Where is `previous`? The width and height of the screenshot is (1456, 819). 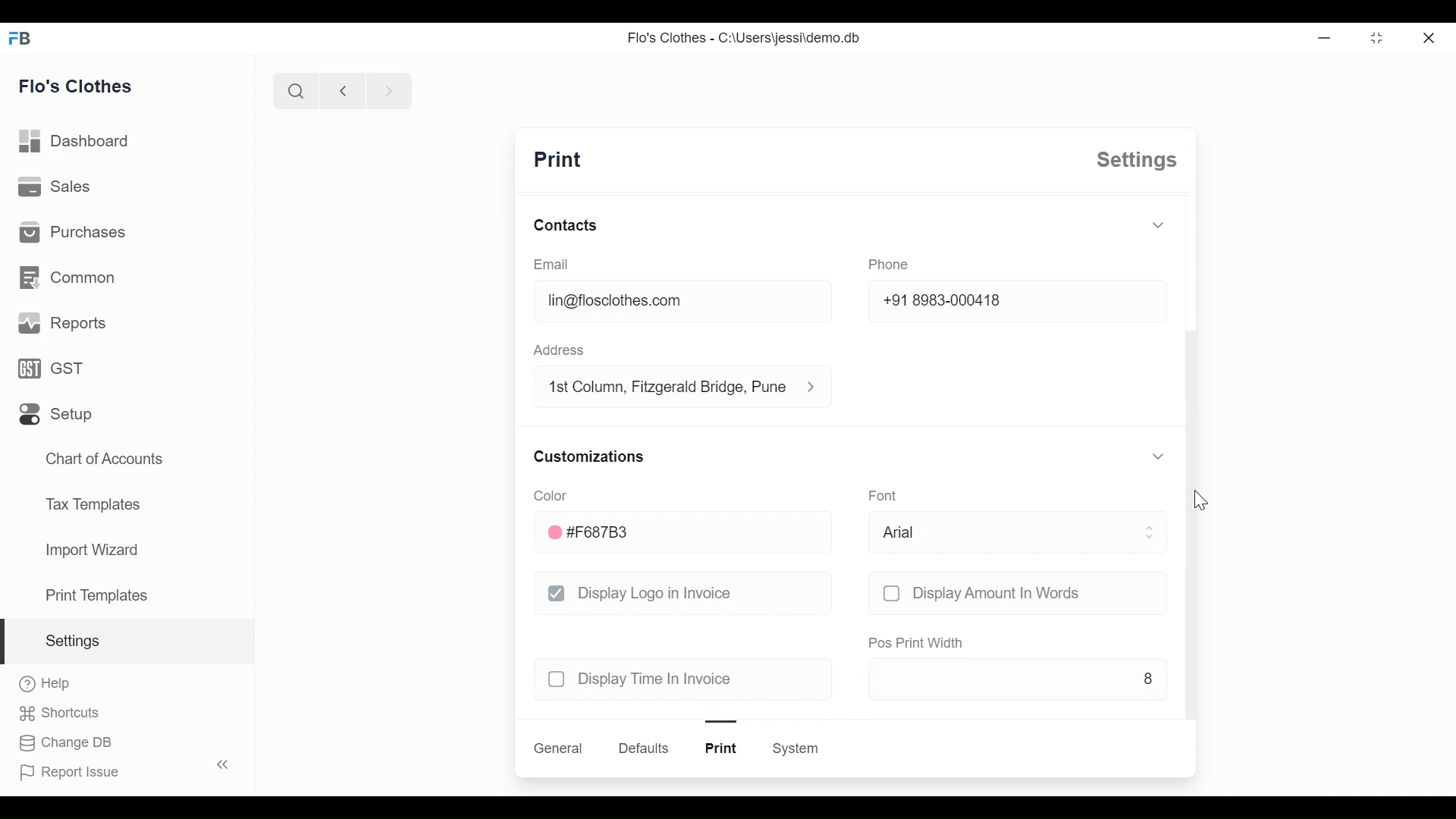
previous is located at coordinates (343, 90).